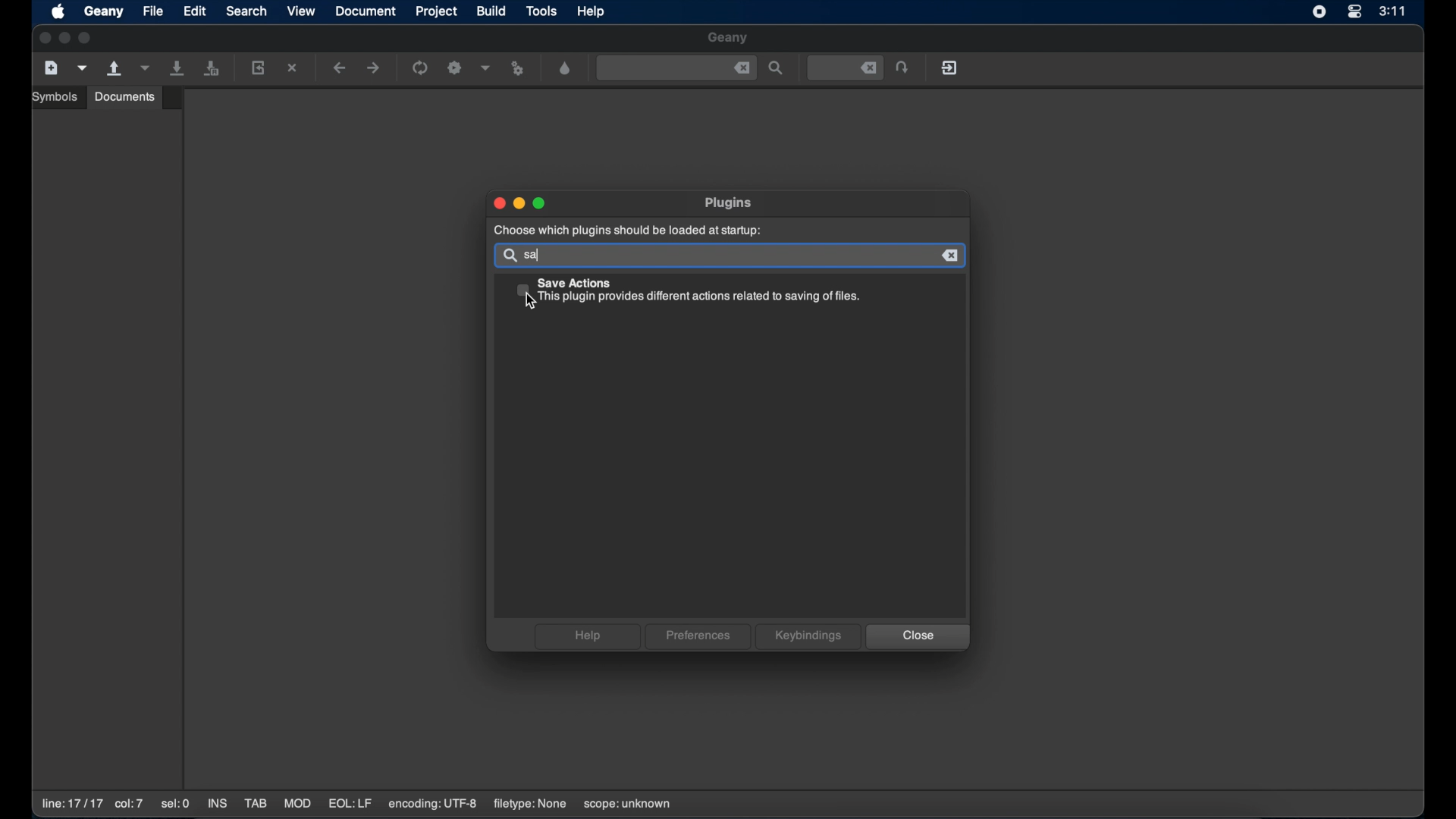 The width and height of the screenshot is (1456, 819). What do you see at coordinates (340, 69) in the screenshot?
I see `navigate backward a location` at bounding box center [340, 69].